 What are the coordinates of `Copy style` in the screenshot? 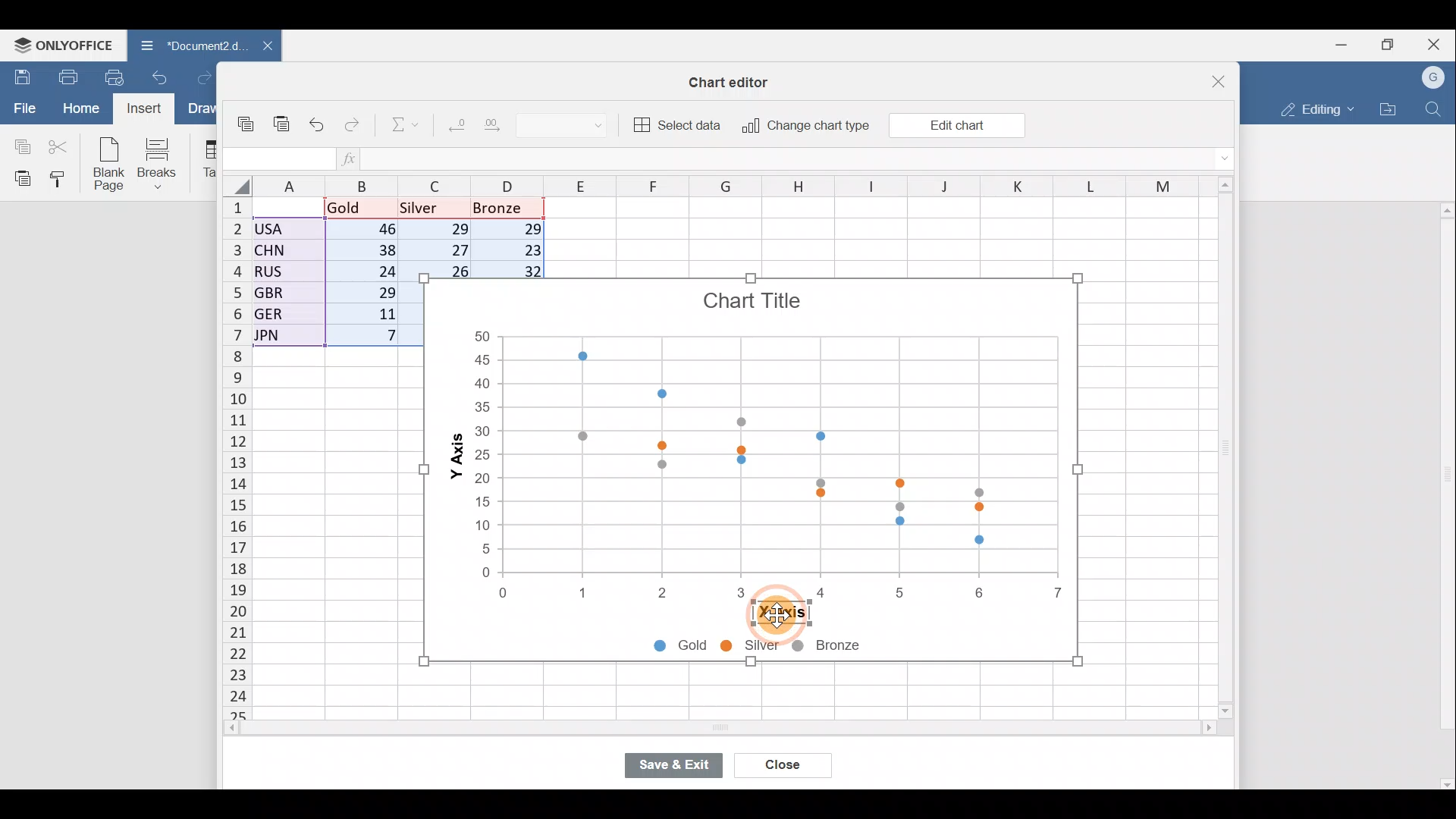 It's located at (62, 180).